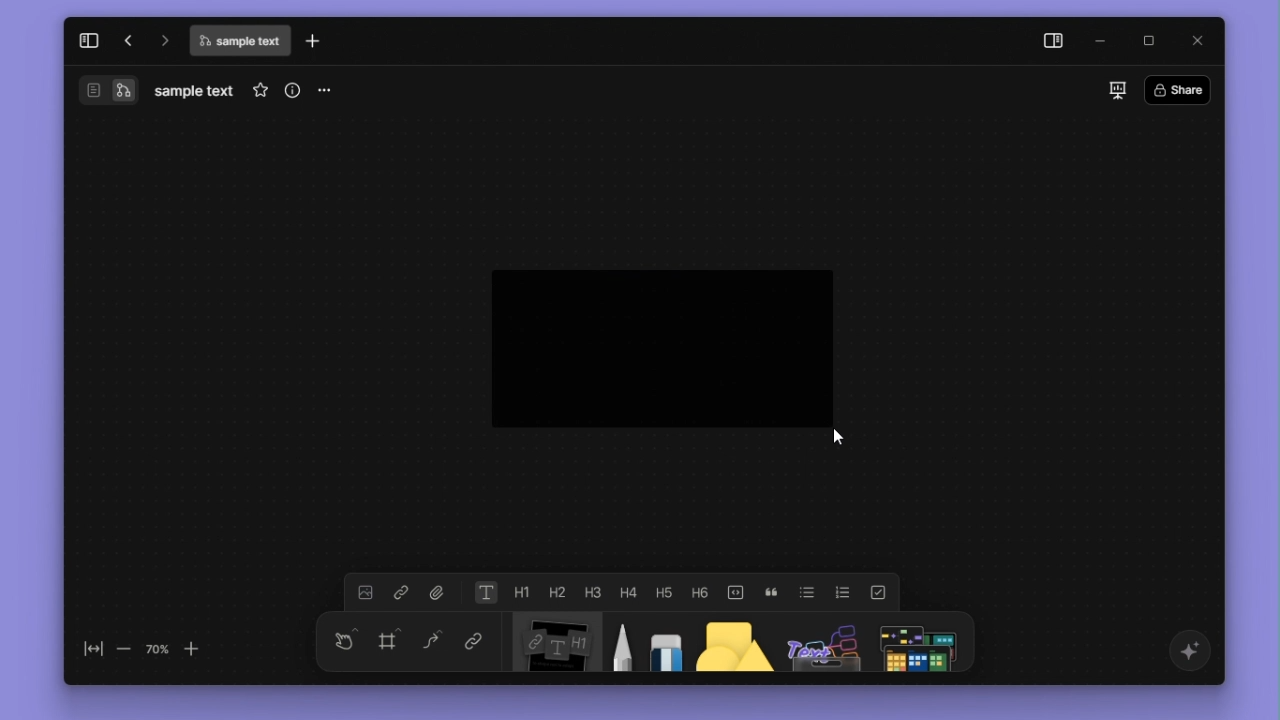 The image size is (1280, 720). Describe the element at coordinates (157, 648) in the screenshot. I see `70%` at that location.